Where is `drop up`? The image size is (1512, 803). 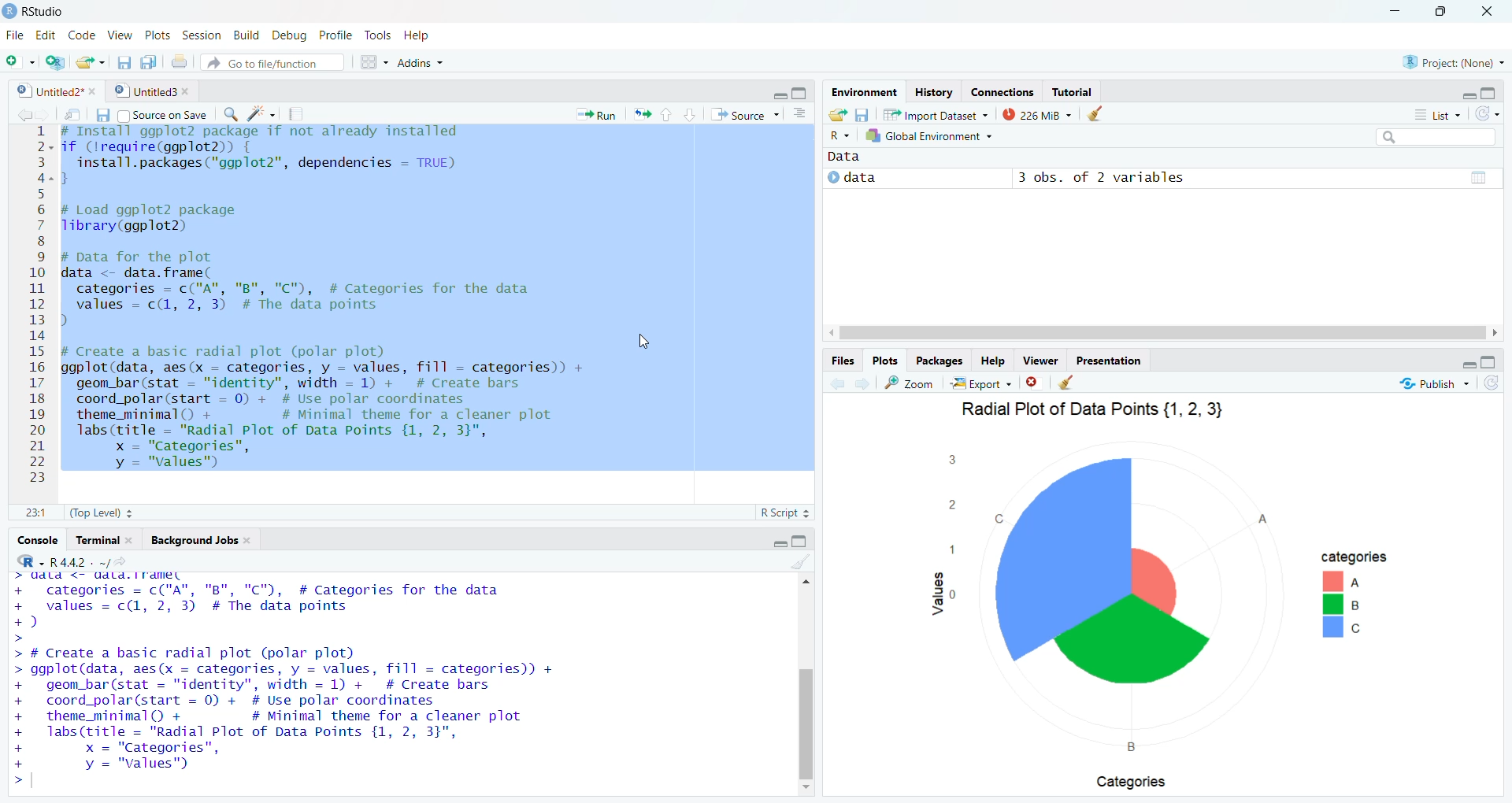 drop up is located at coordinates (808, 584).